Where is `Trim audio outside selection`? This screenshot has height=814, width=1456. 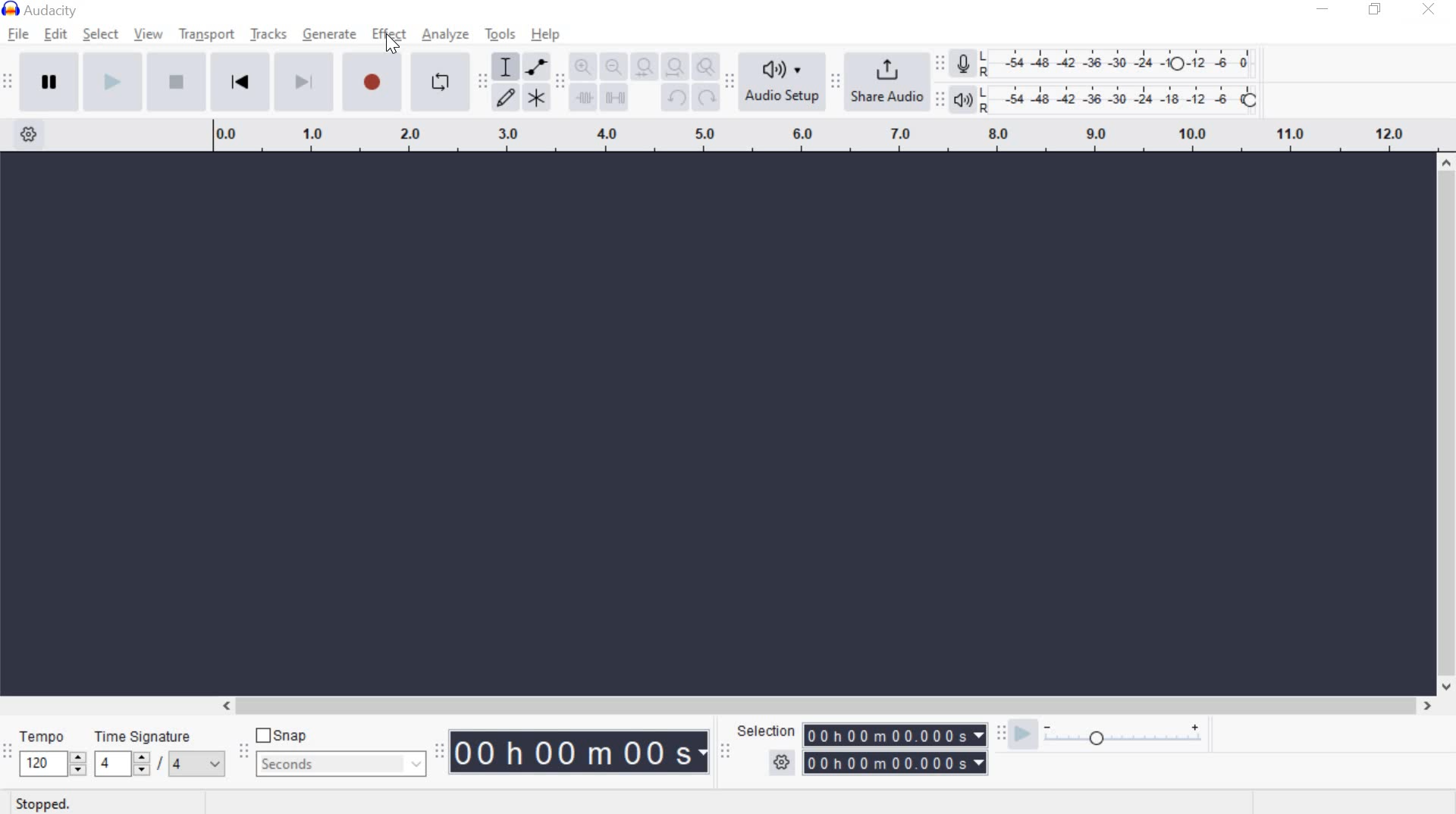 Trim audio outside selection is located at coordinates (585, 97).